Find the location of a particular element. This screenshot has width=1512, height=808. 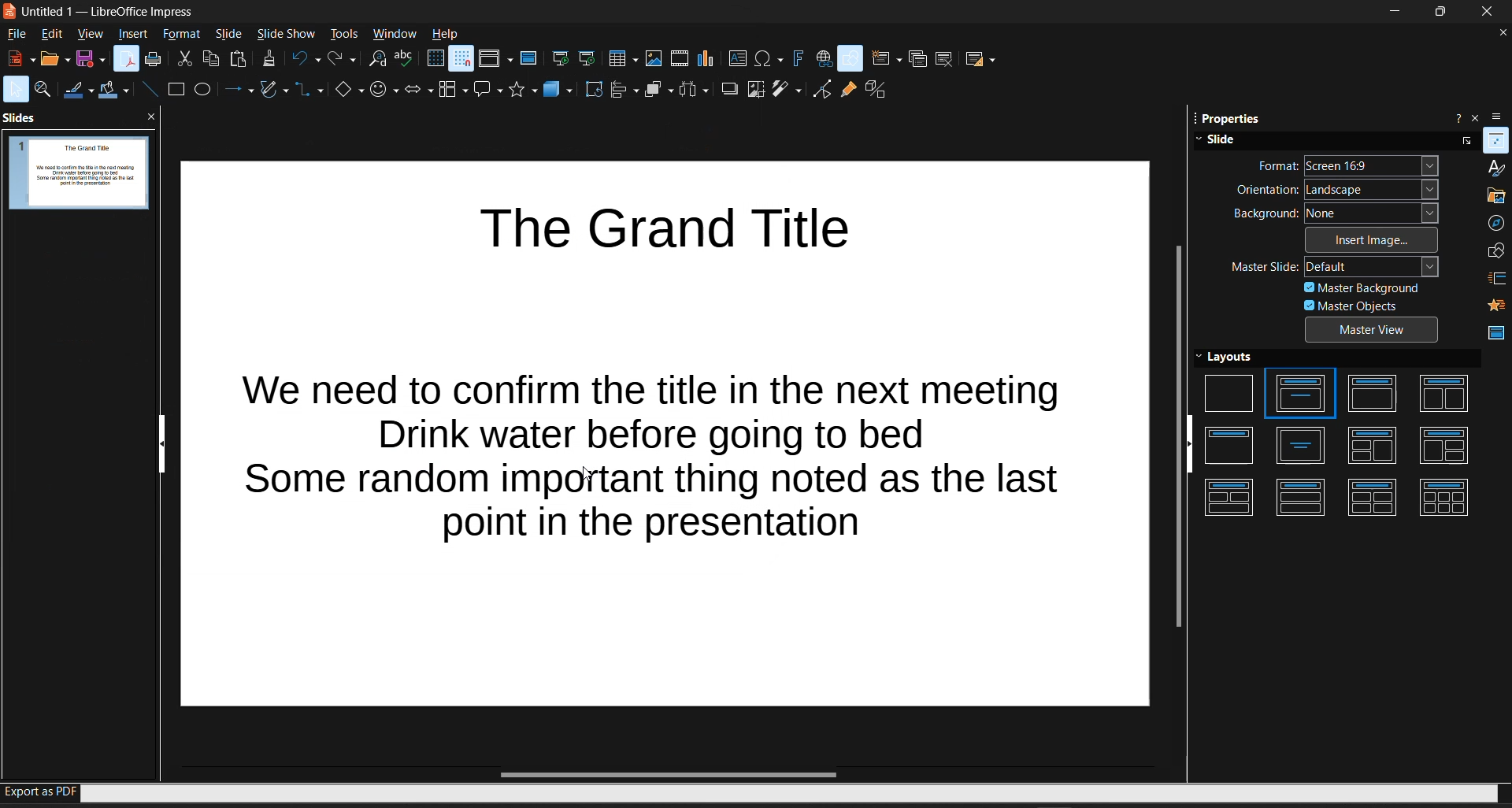

insert fontwork text is located at coordinates (797, 57).